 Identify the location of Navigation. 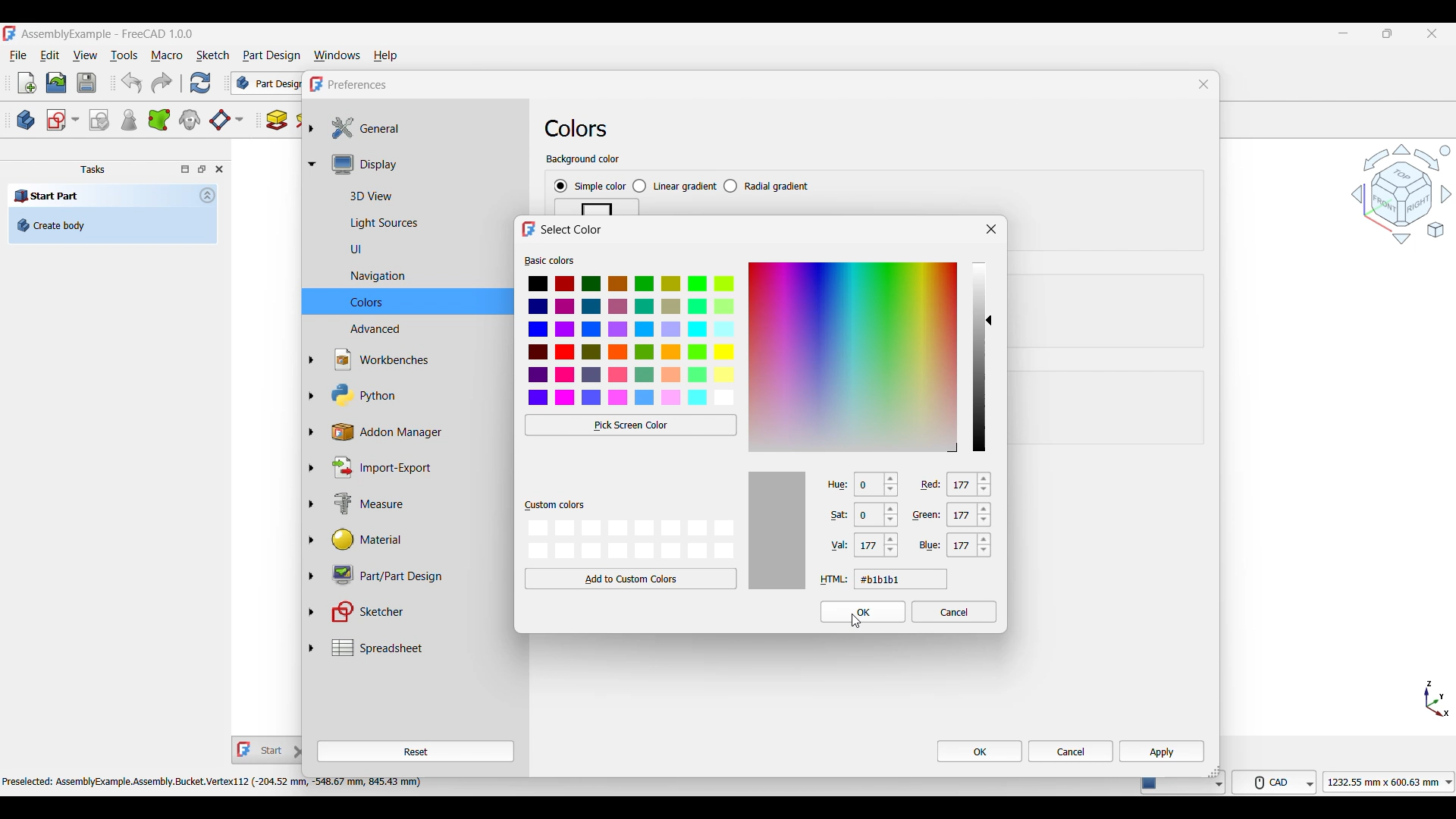
(1401, 193).